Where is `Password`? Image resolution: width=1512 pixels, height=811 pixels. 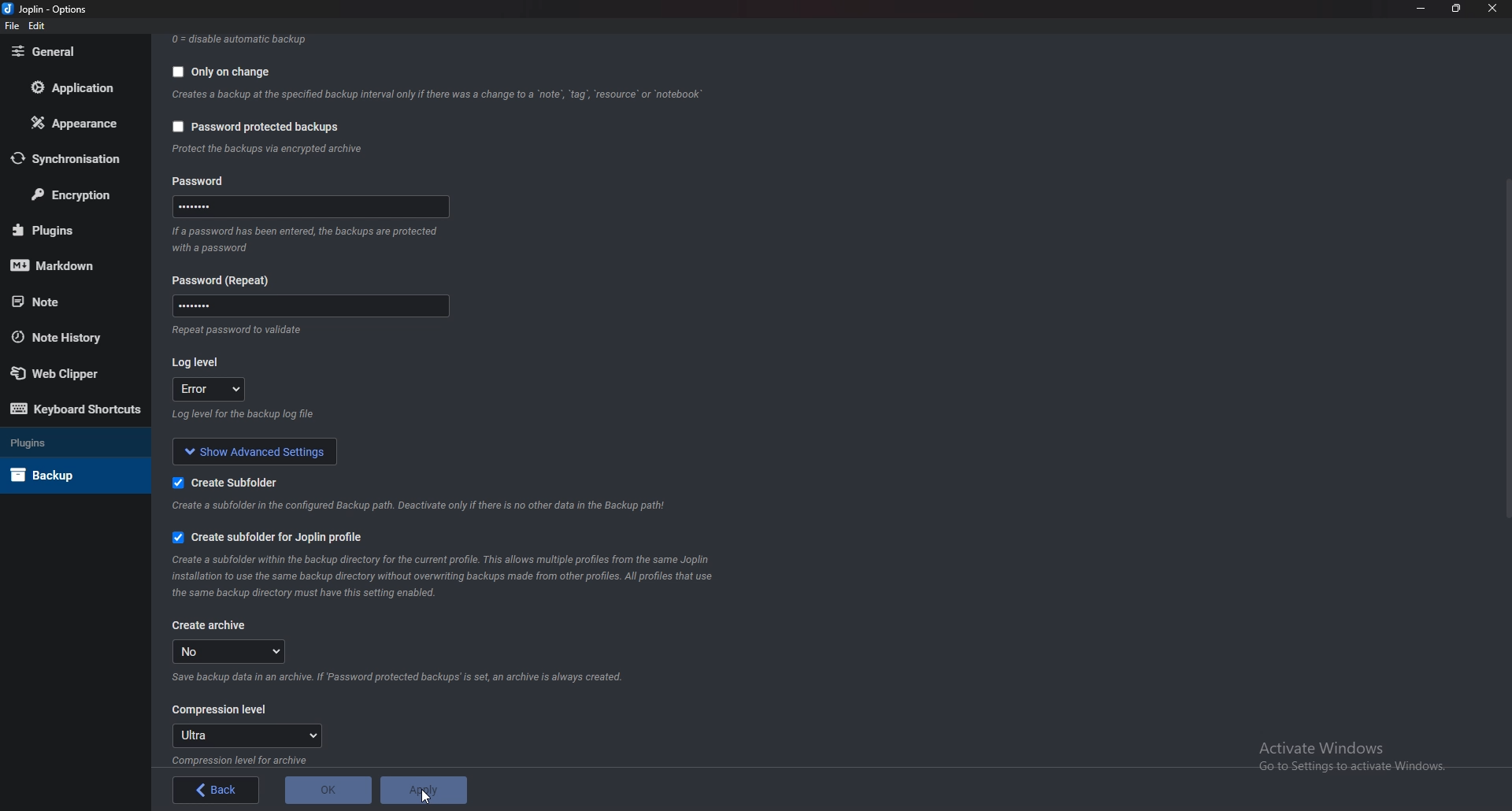 Password is located at coordinates (315, 206).